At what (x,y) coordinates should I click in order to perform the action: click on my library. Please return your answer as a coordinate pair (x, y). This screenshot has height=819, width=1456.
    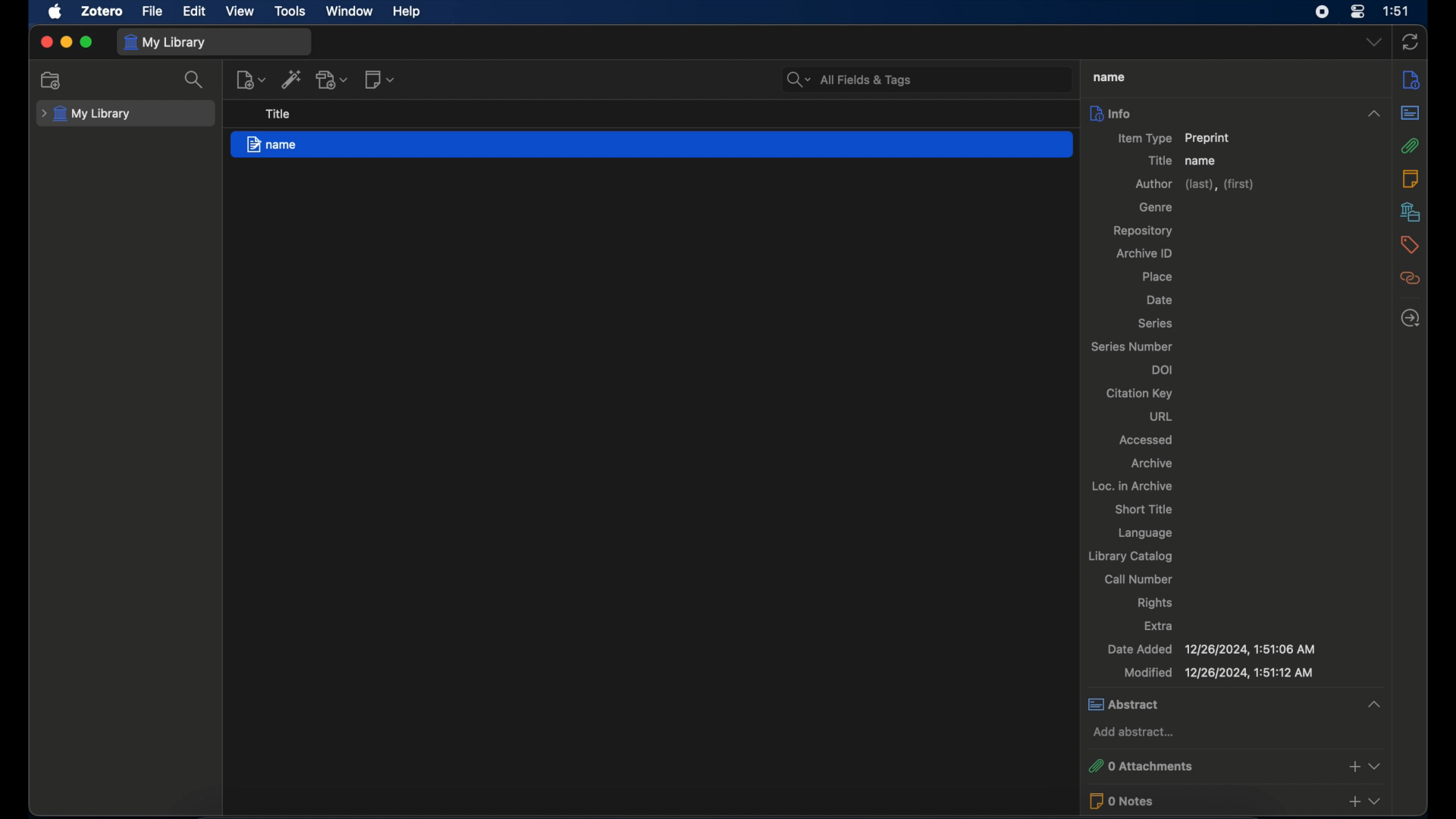
    Looking at the image, I should click on (88, 115).